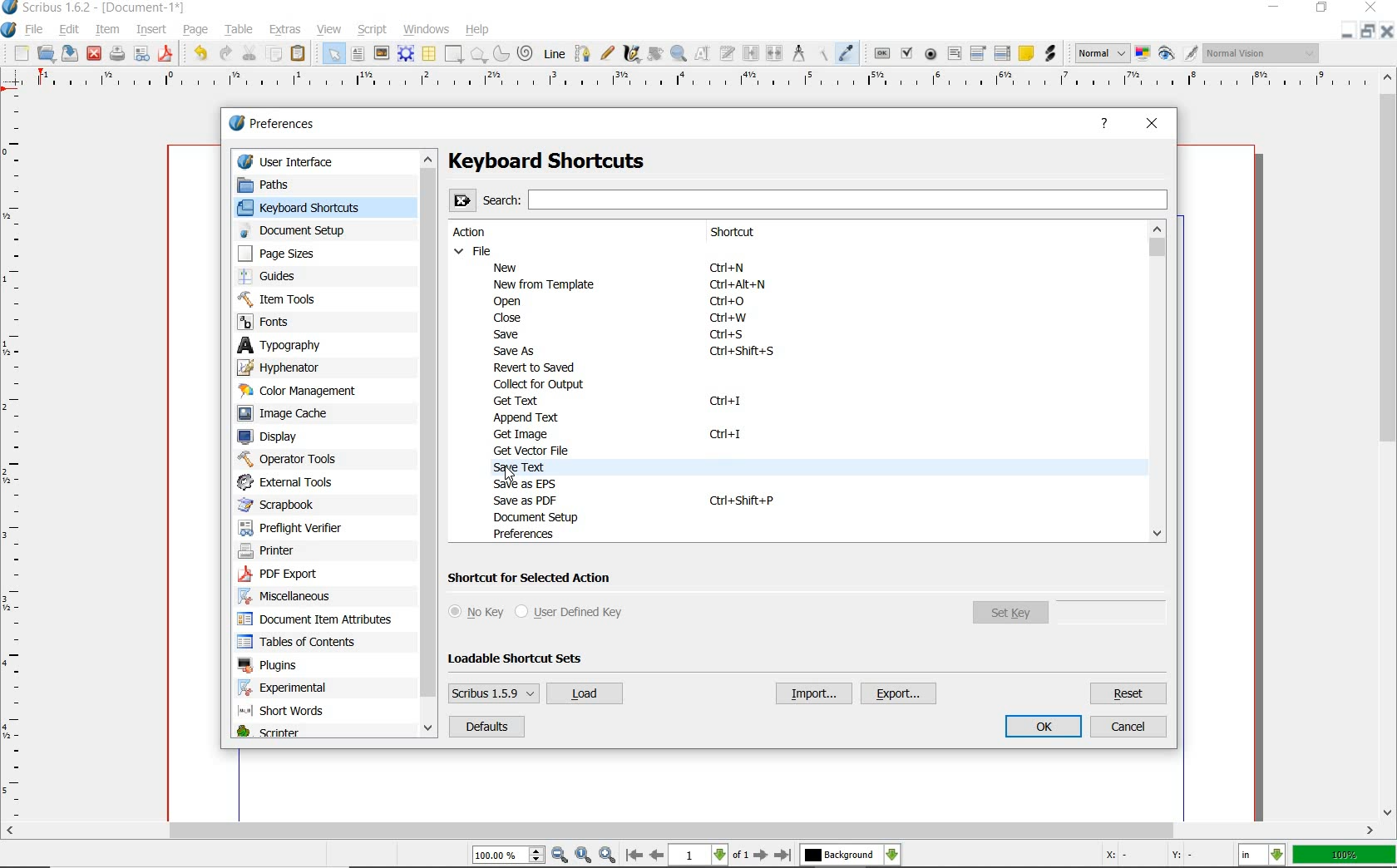 This screenshot has width=1397, height=868. Describe the element at coordinates (291, 525) in the screenshot. I see `preflight verifier` at that location.